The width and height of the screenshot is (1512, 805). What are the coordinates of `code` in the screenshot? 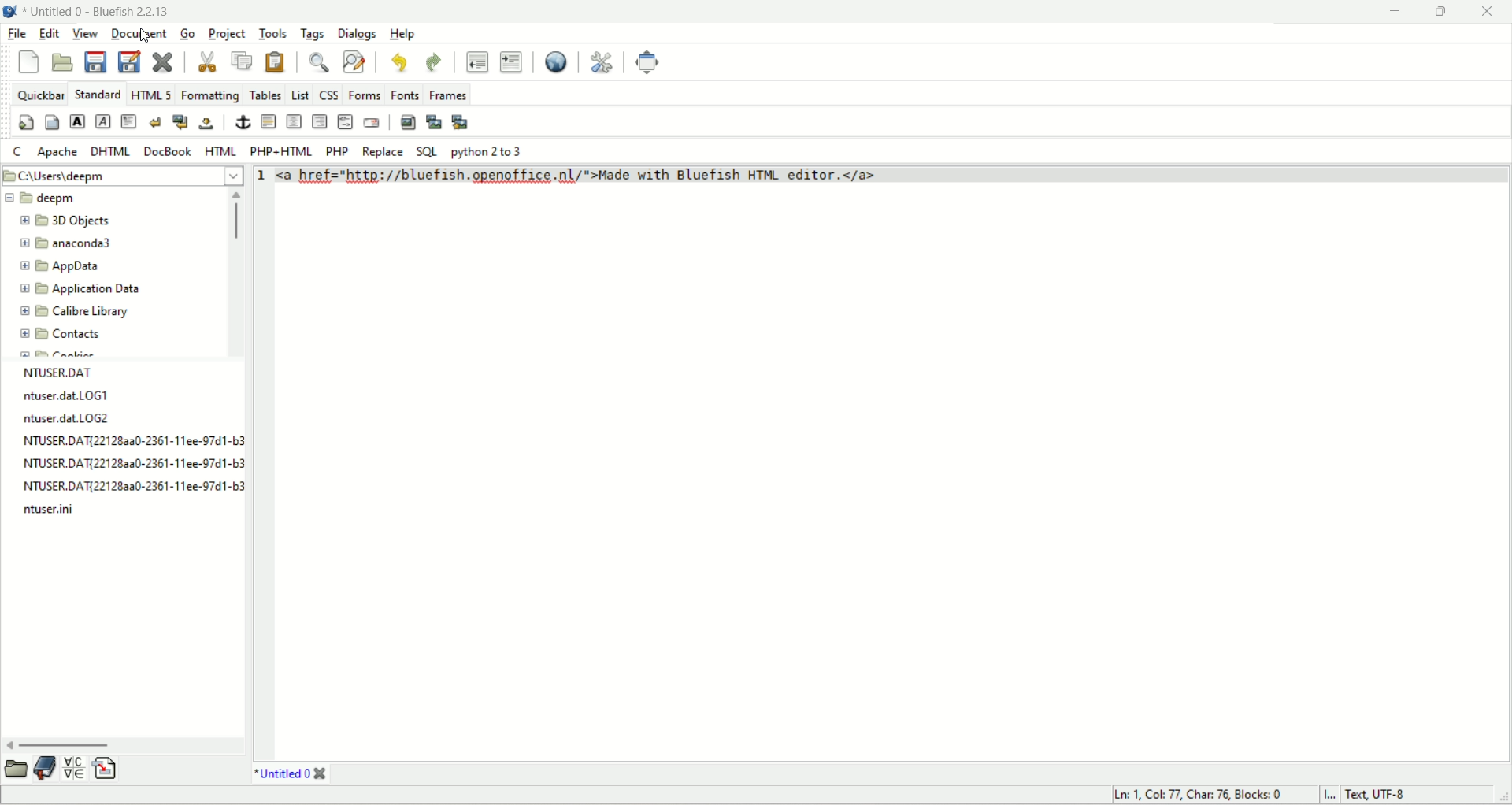 It's located at (598, 172).